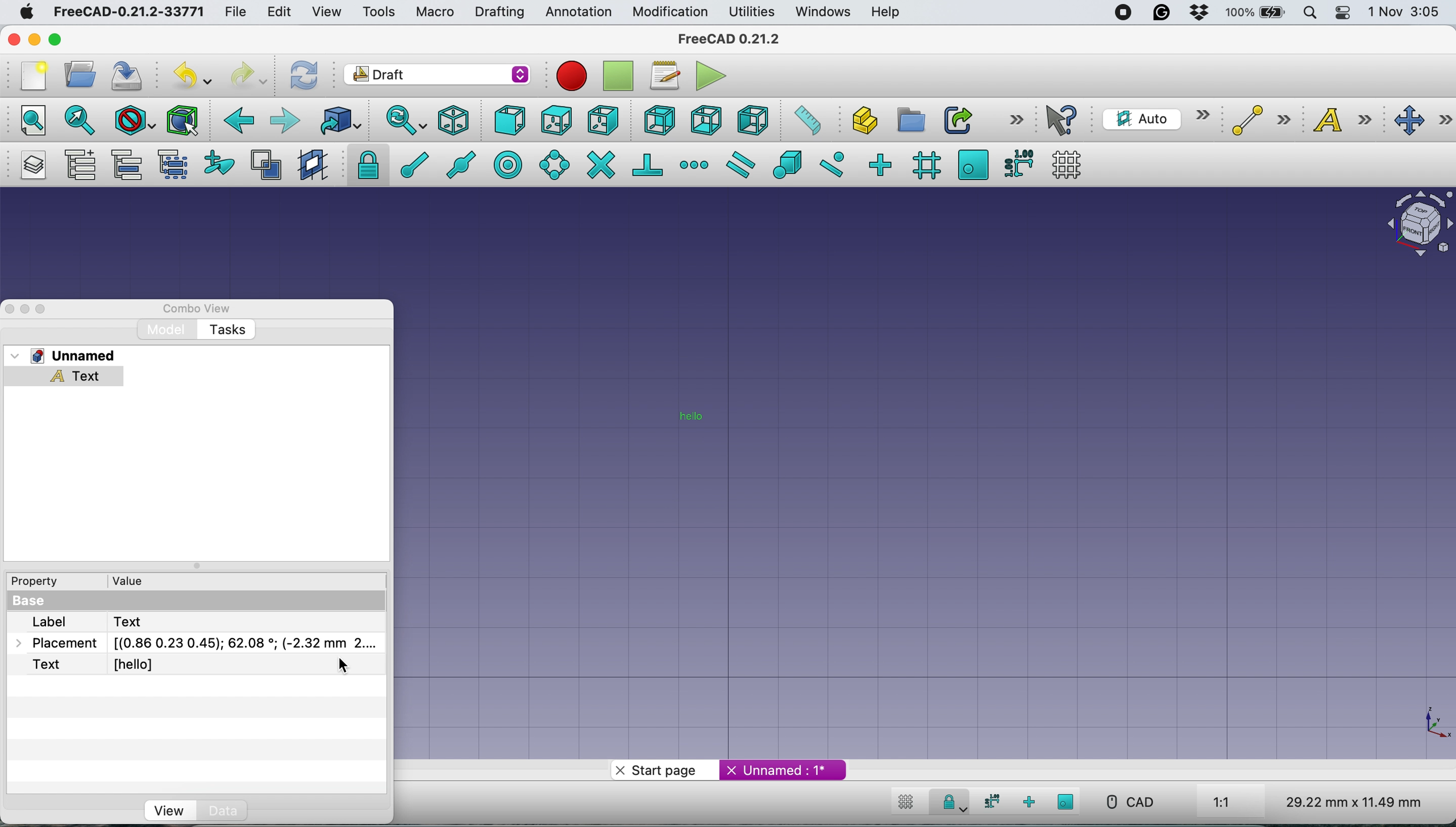 Image resolution: width=1456 pixels, height=827 pixels. Describe the element at coordinates (556, 119) in the screenshot. I see `top` at that location.